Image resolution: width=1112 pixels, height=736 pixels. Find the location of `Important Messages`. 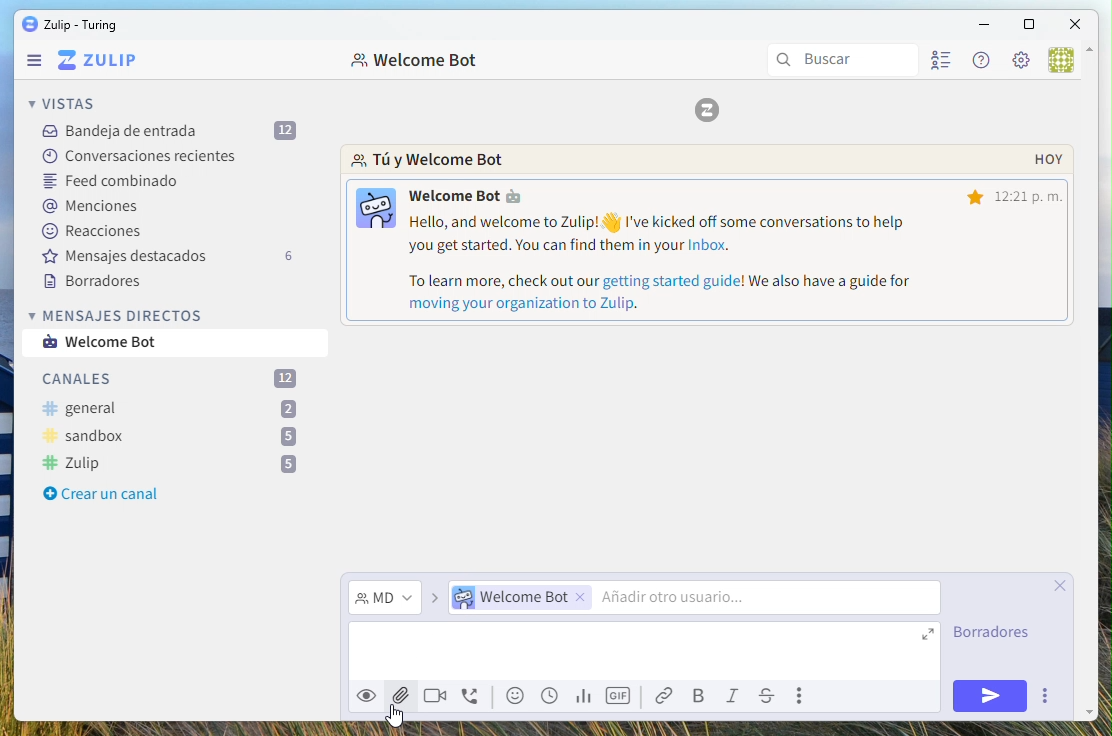

Important Messages is located at coordinates (181, 255).